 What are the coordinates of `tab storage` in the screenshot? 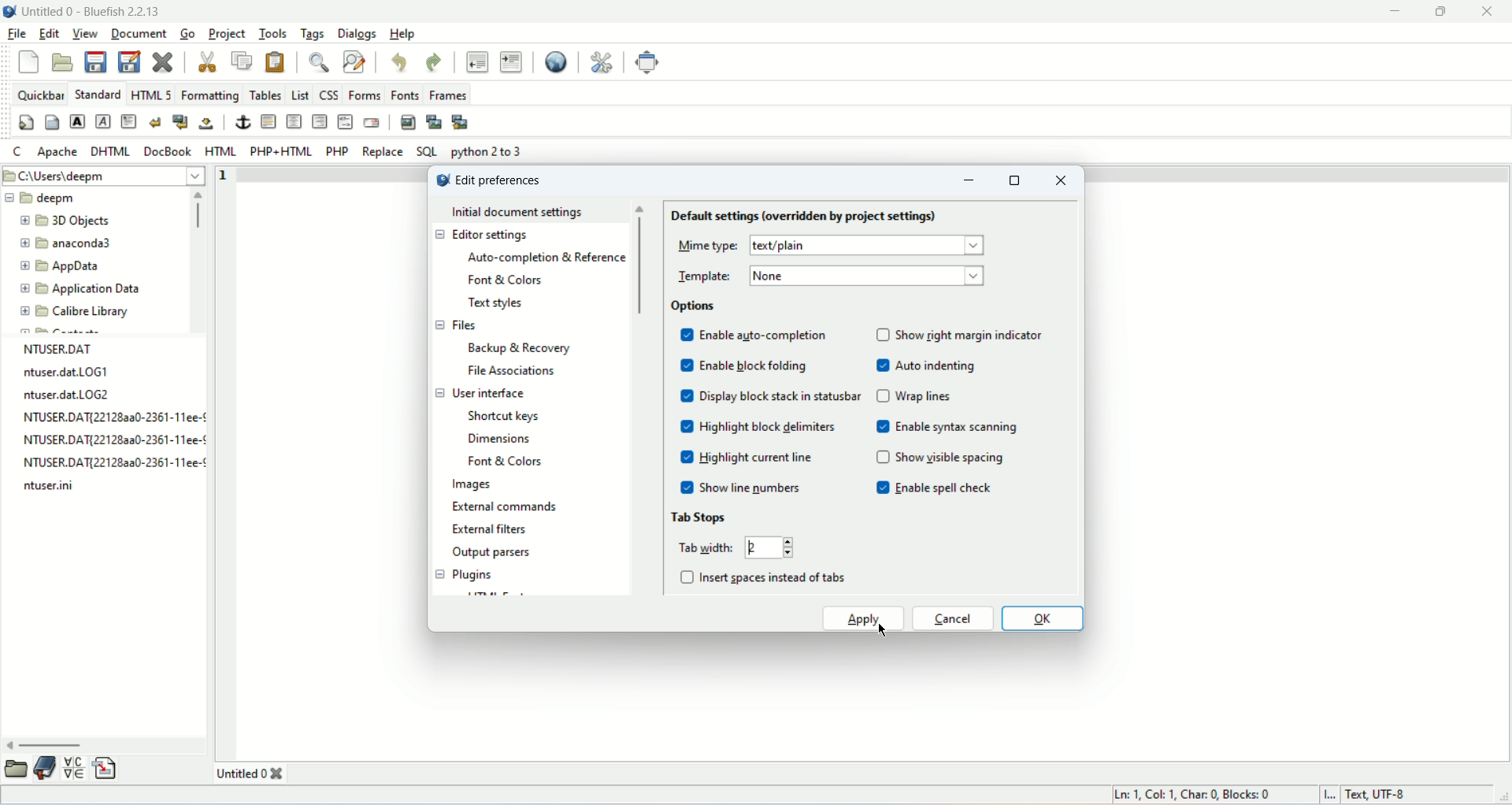 It's located at (700, 516).